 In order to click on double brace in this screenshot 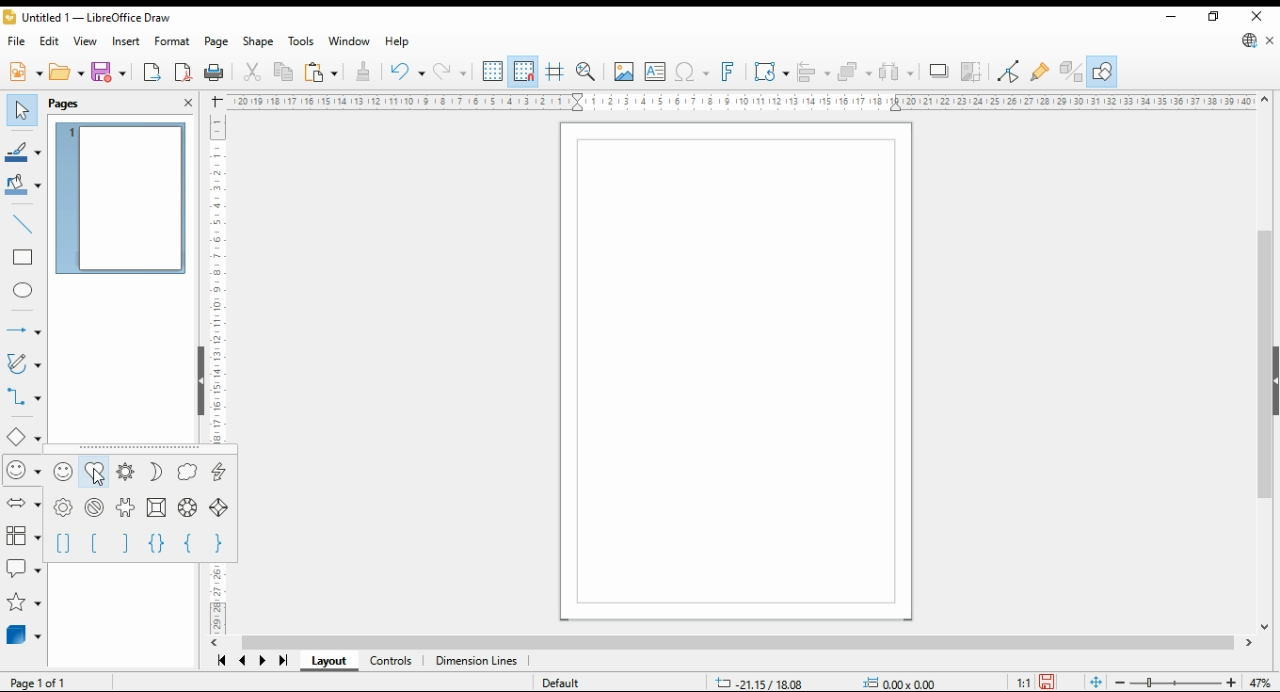, I will do `click(156, 543)`.